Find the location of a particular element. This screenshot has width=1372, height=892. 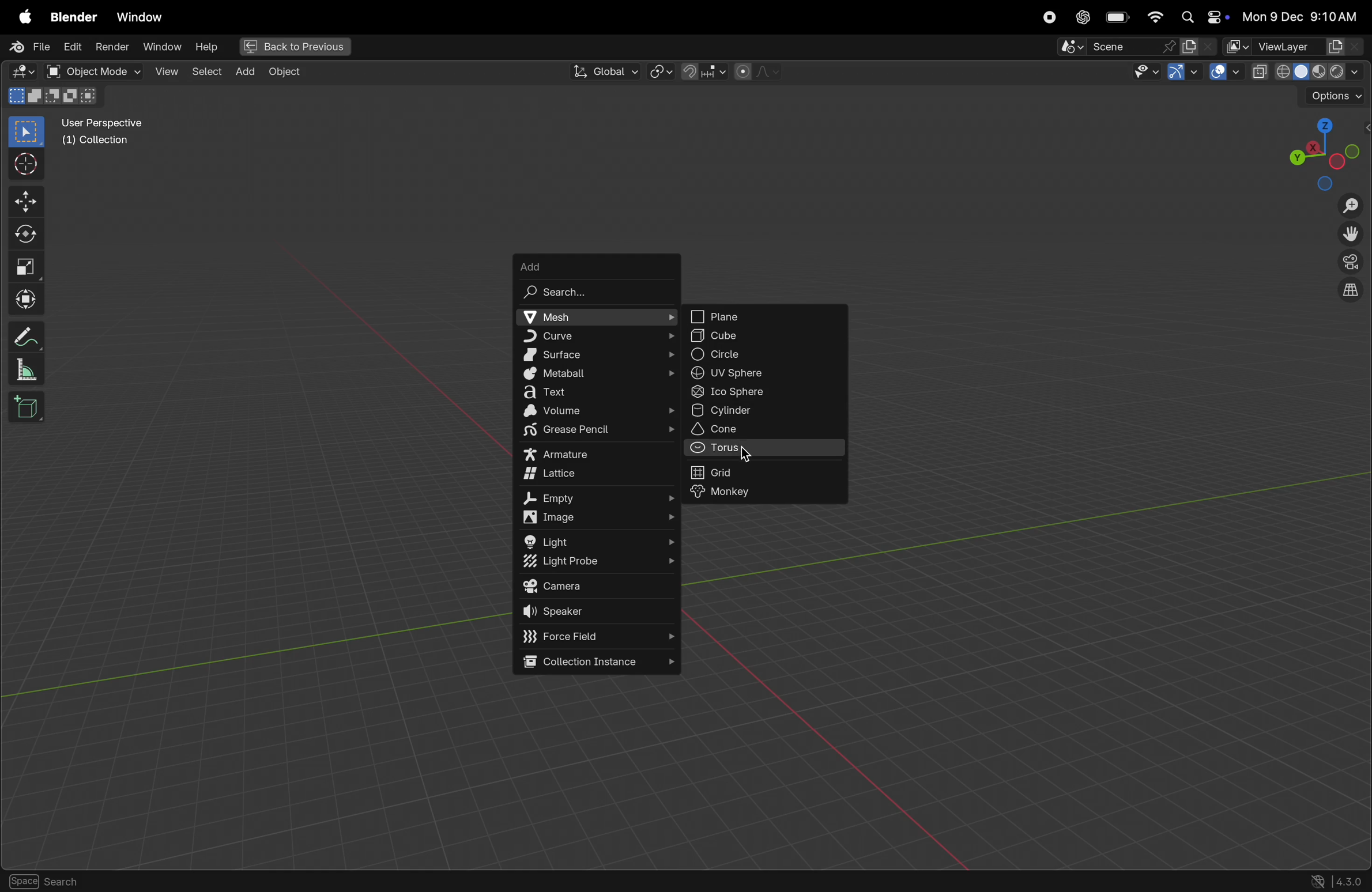

render is located at coordinates (112, 47).